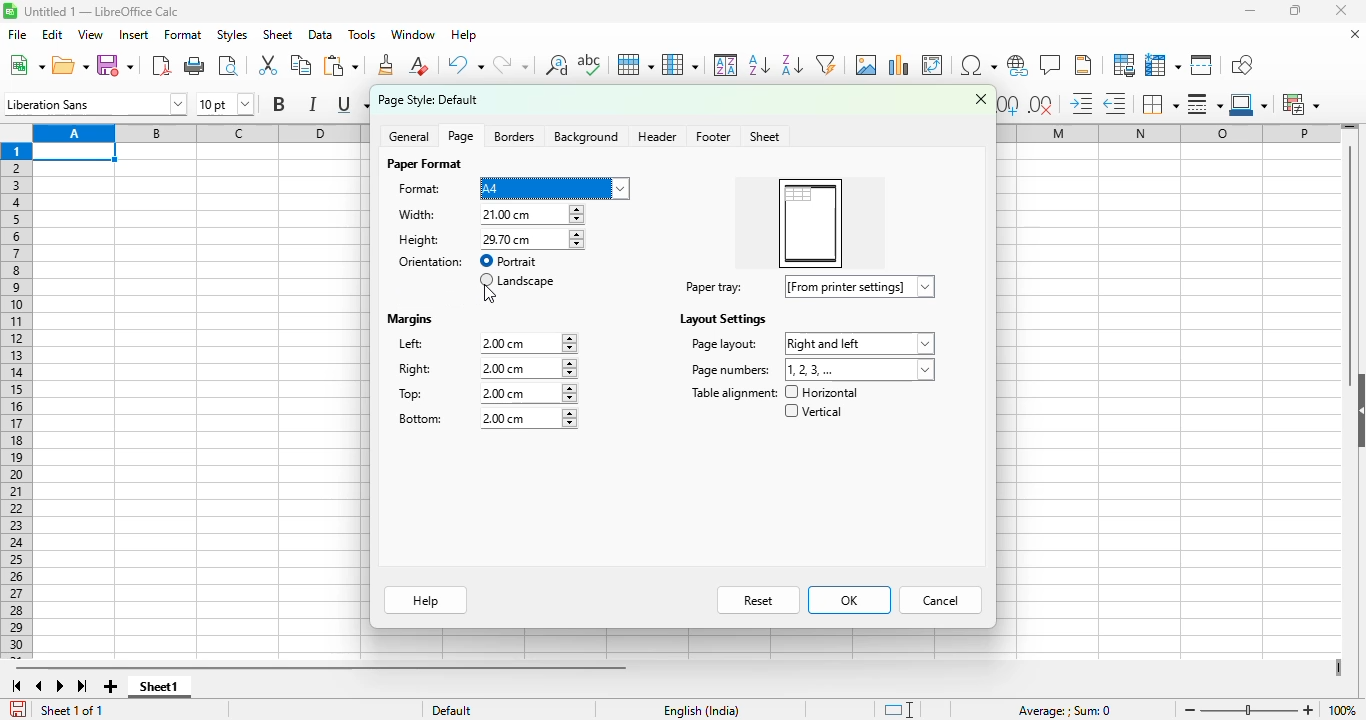 The image size is (1366, 720). I want to click on font size, so click(226, 103).